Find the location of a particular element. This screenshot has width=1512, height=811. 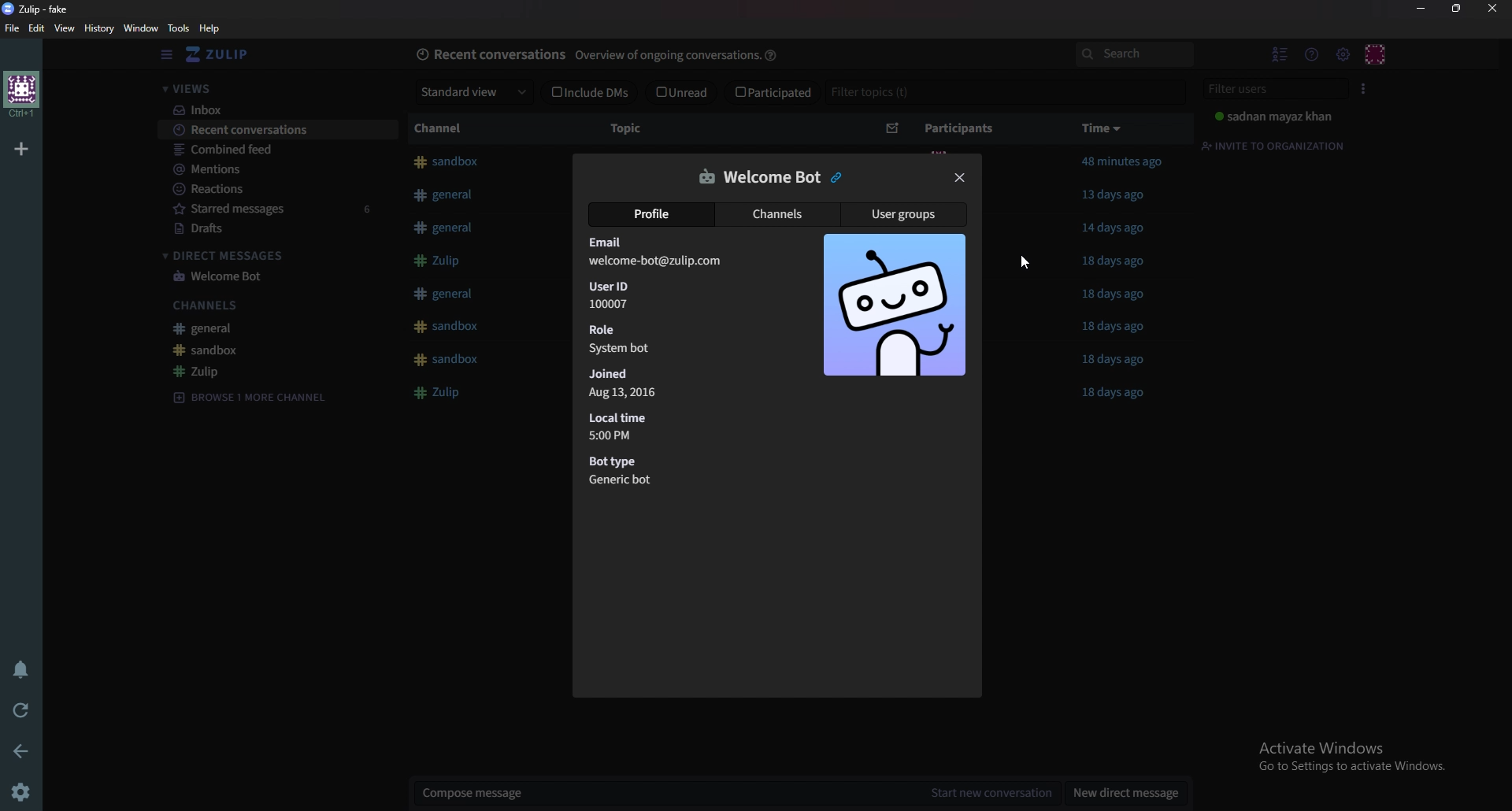

18 days ago is located at coordinates (1114, 328).